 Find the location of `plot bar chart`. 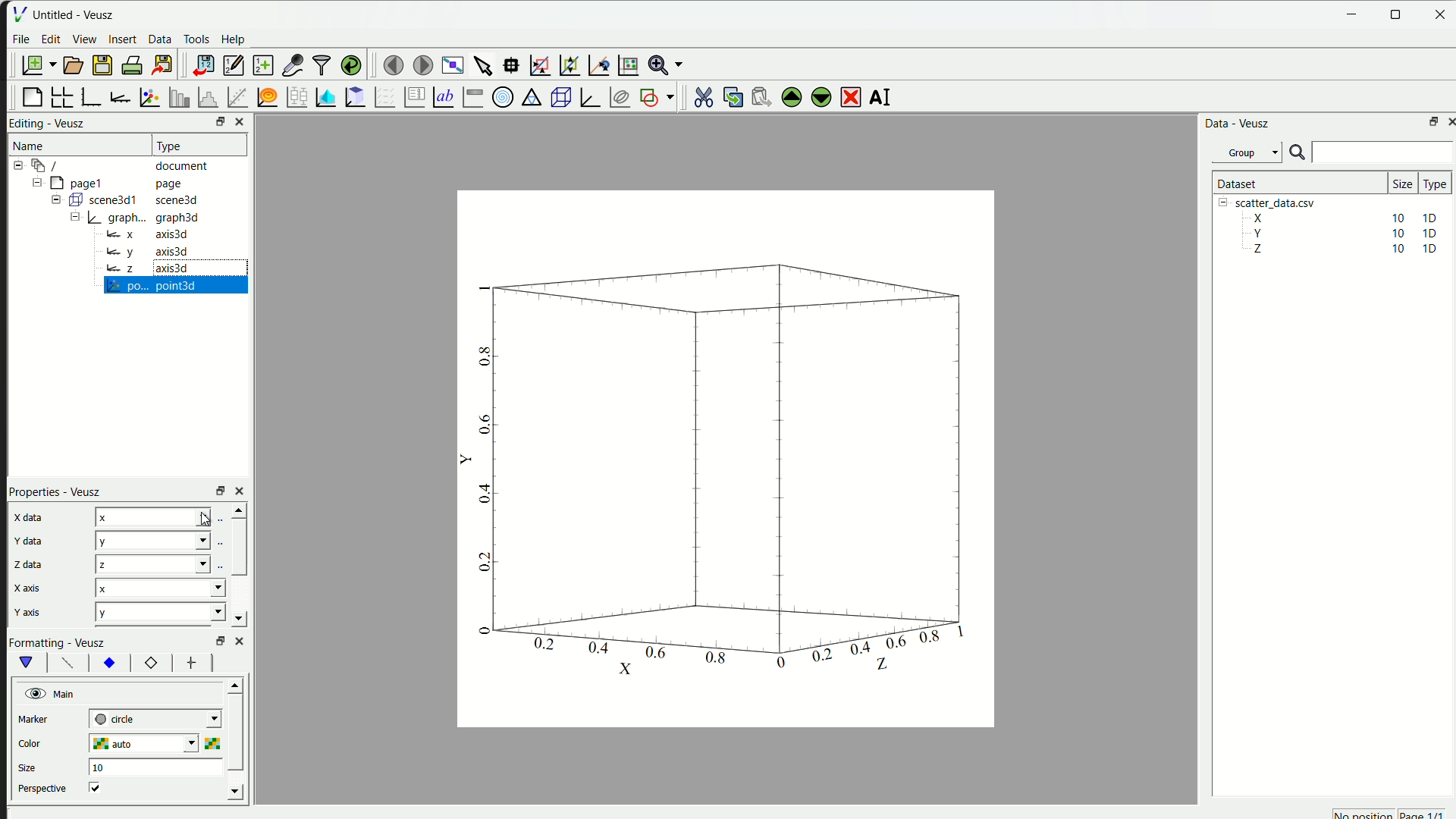

plot bar chart is located at coordinates (174, 97).